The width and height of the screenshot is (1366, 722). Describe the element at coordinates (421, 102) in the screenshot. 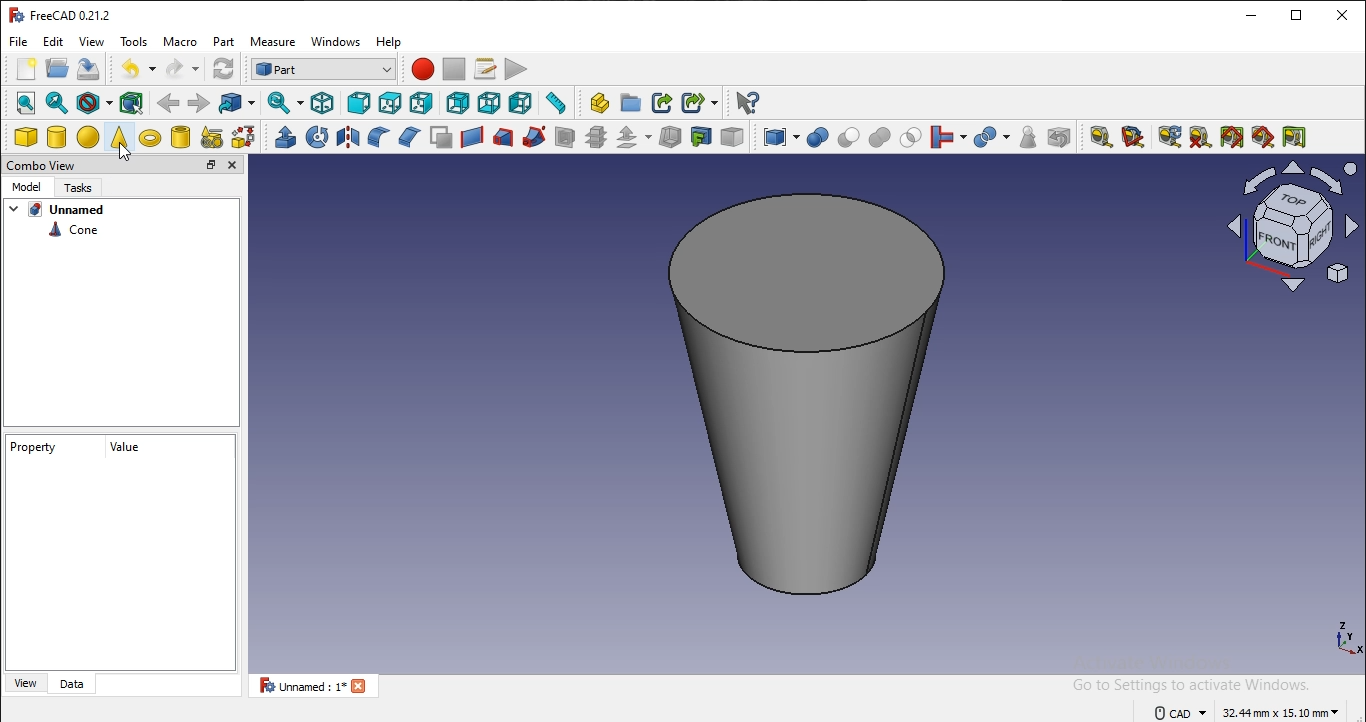

I see `right` at that location.